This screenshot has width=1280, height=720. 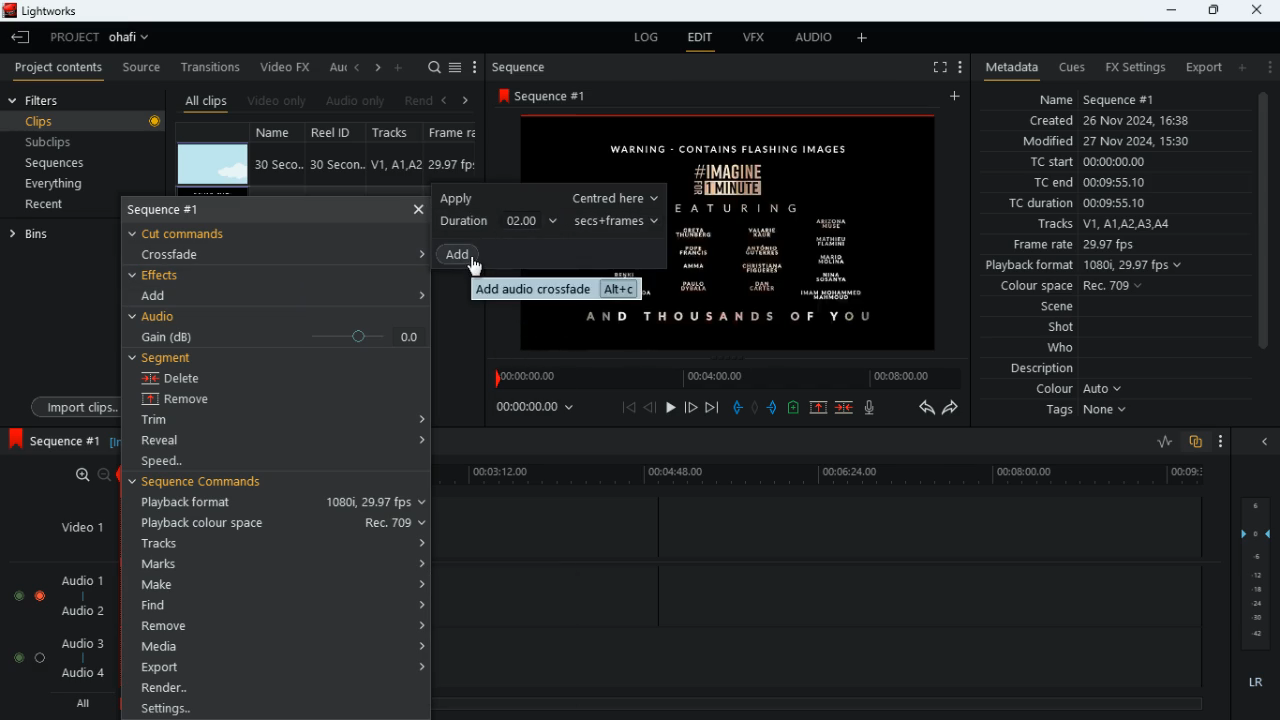 I want to click on make, so click(x=278, y=585).